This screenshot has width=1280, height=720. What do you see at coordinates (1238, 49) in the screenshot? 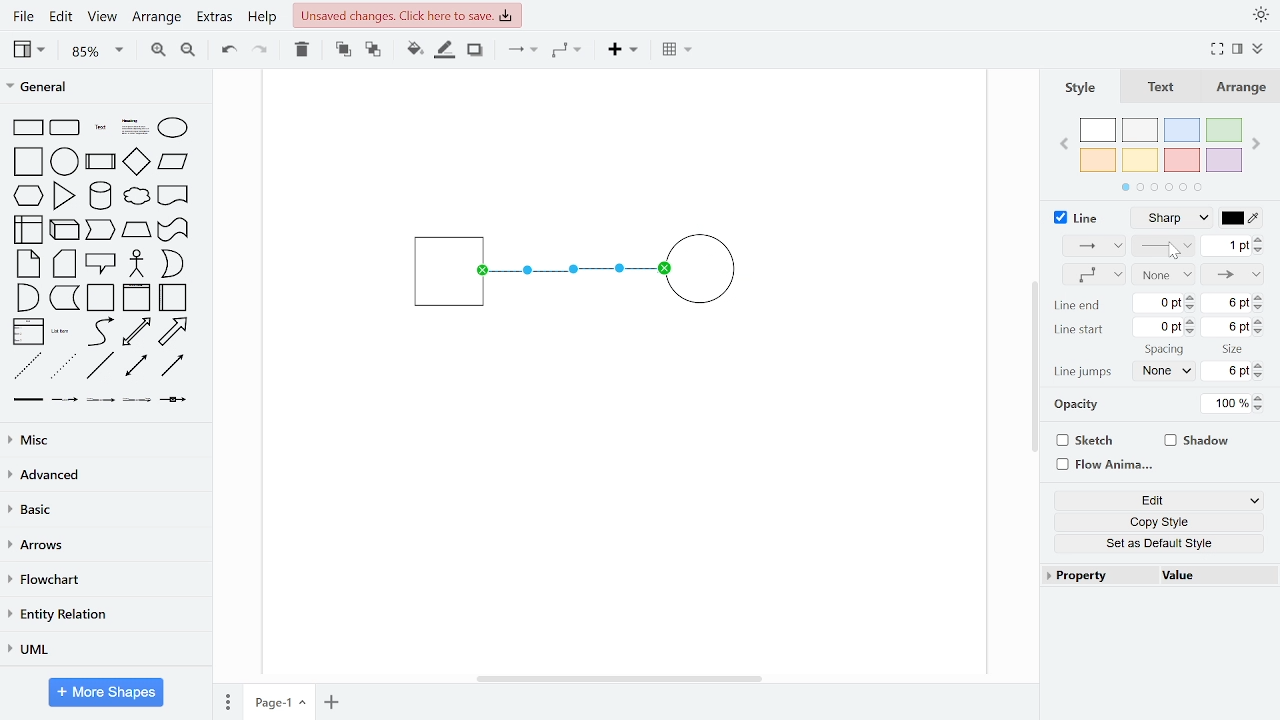
I see `format` at bounding box center [1238, 49].